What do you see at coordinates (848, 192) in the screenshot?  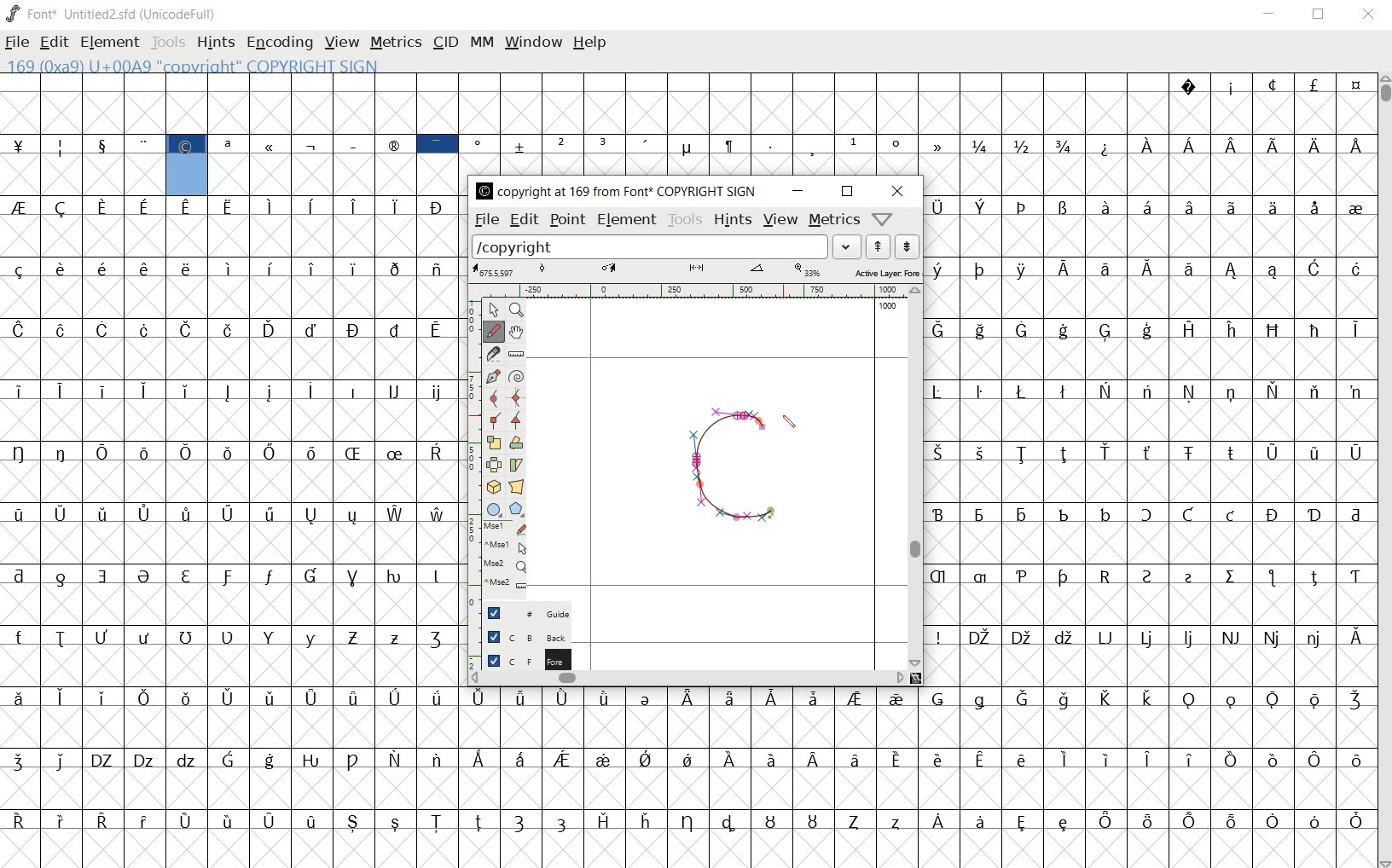 I see `restore` at bounding box center [848, 192].